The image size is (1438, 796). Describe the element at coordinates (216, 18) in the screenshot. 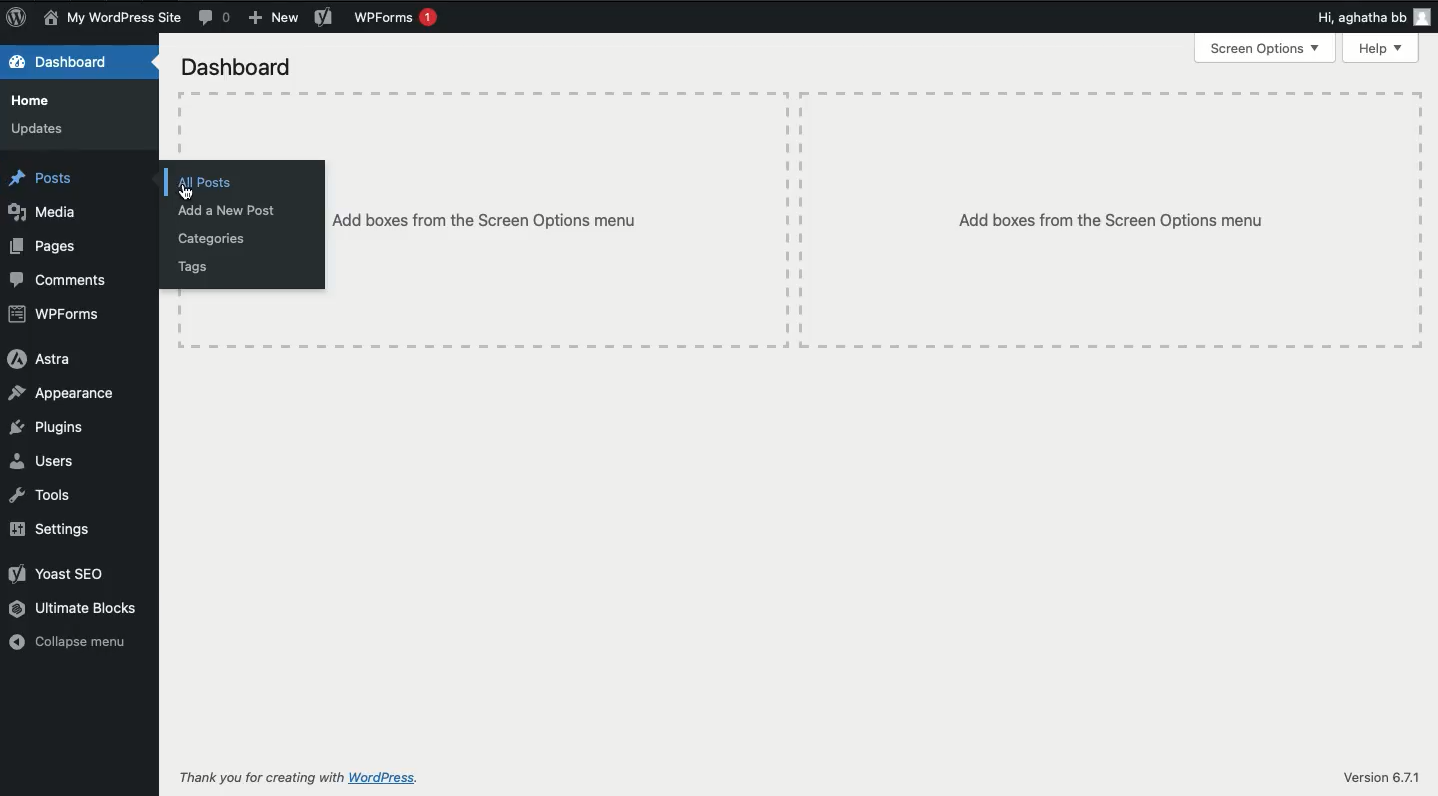

I see `Comment` at that location.